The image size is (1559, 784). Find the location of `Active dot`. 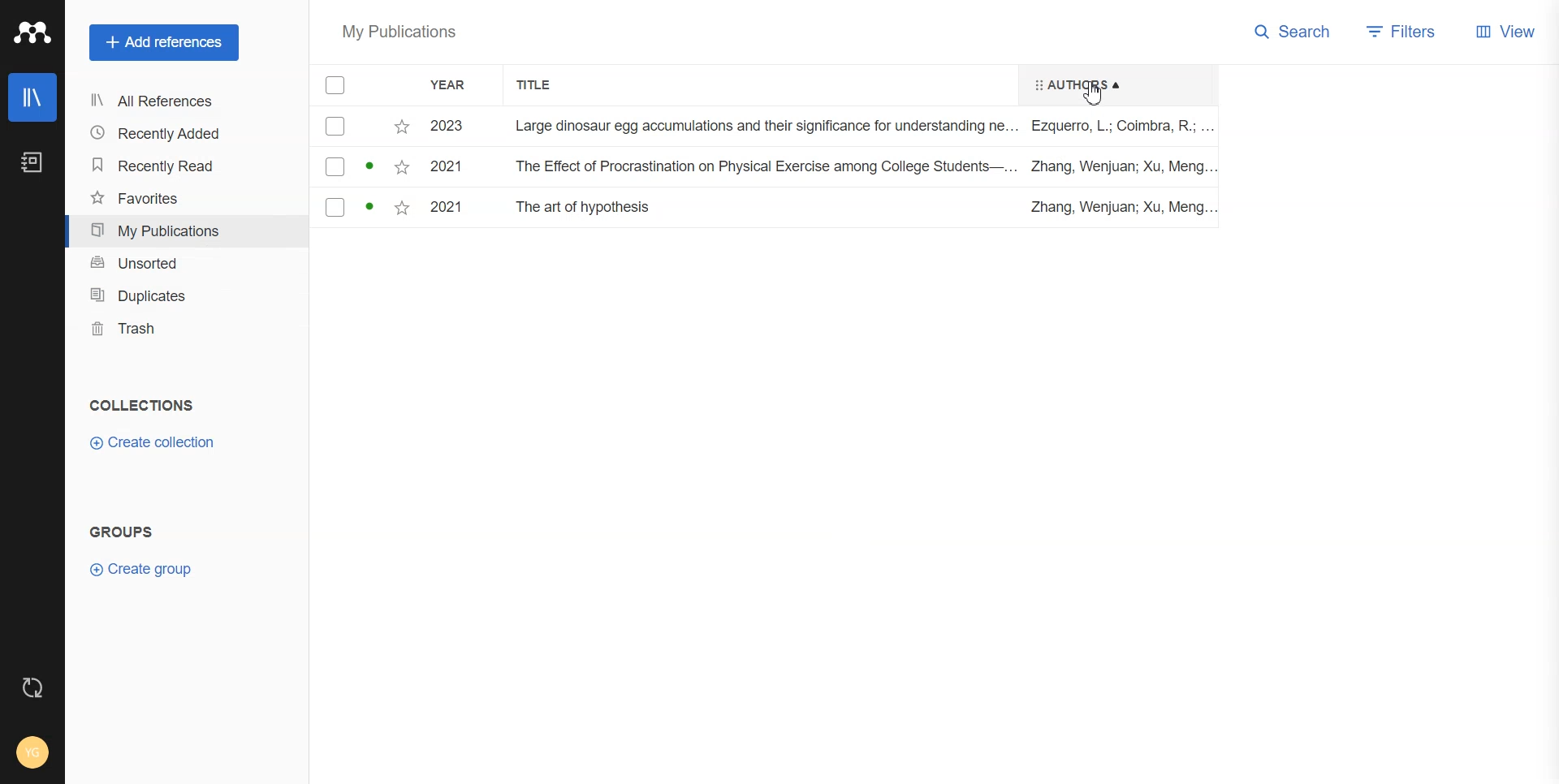

Active dot is located at coordinates (372, 166).